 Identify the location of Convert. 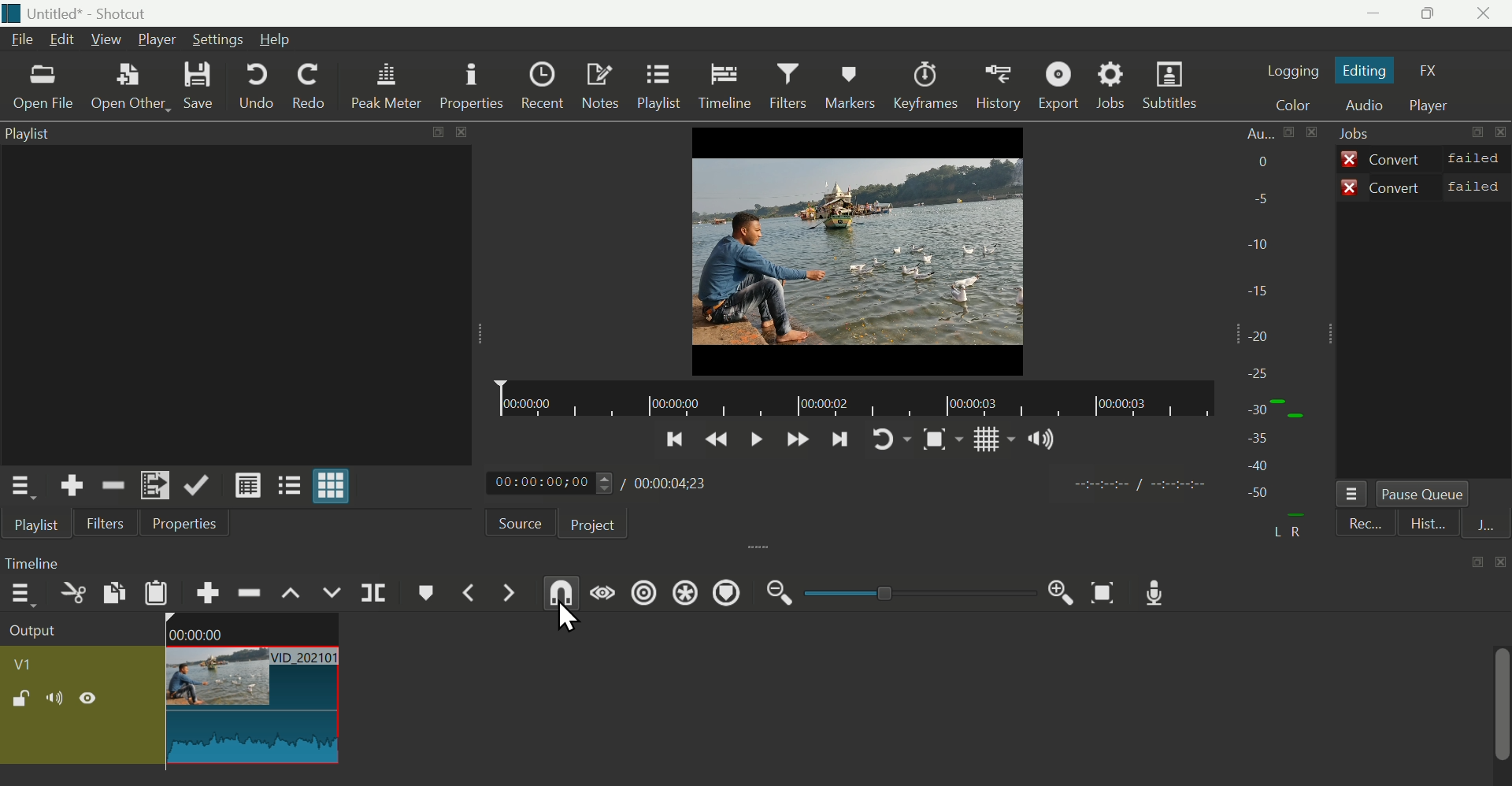
(1425, 187).